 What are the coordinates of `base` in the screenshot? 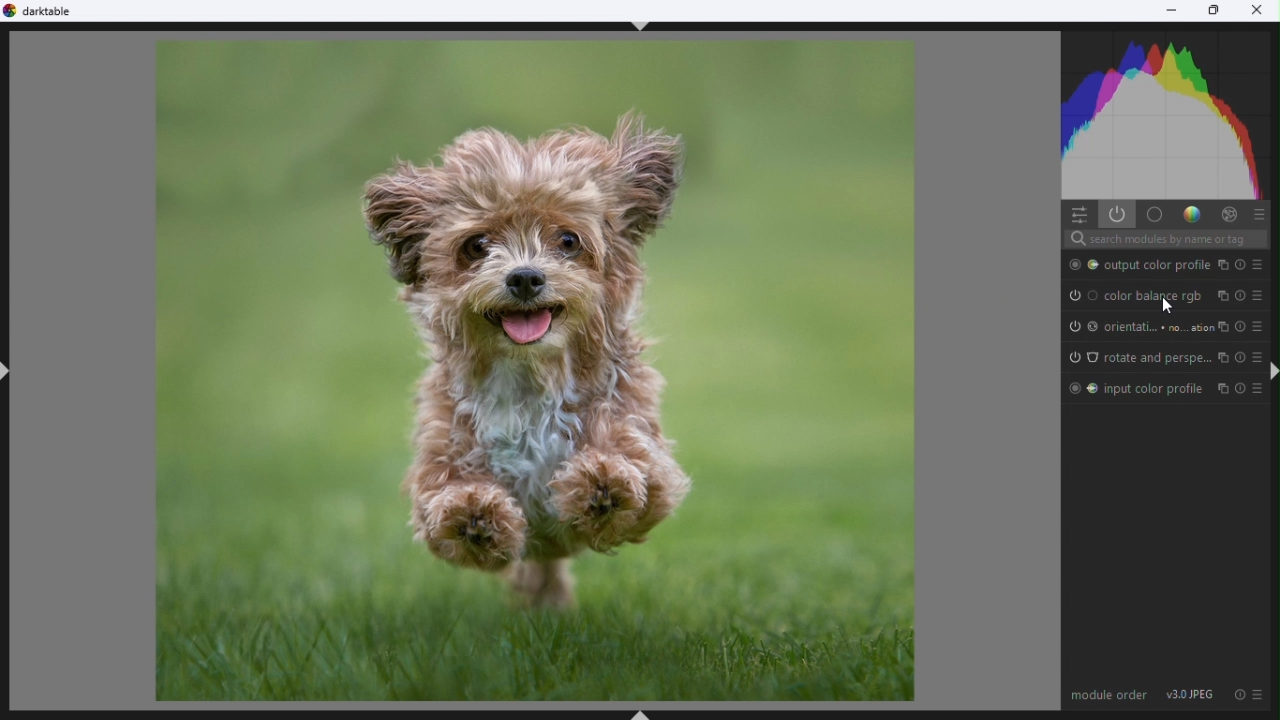 It's located at (1155, 215).